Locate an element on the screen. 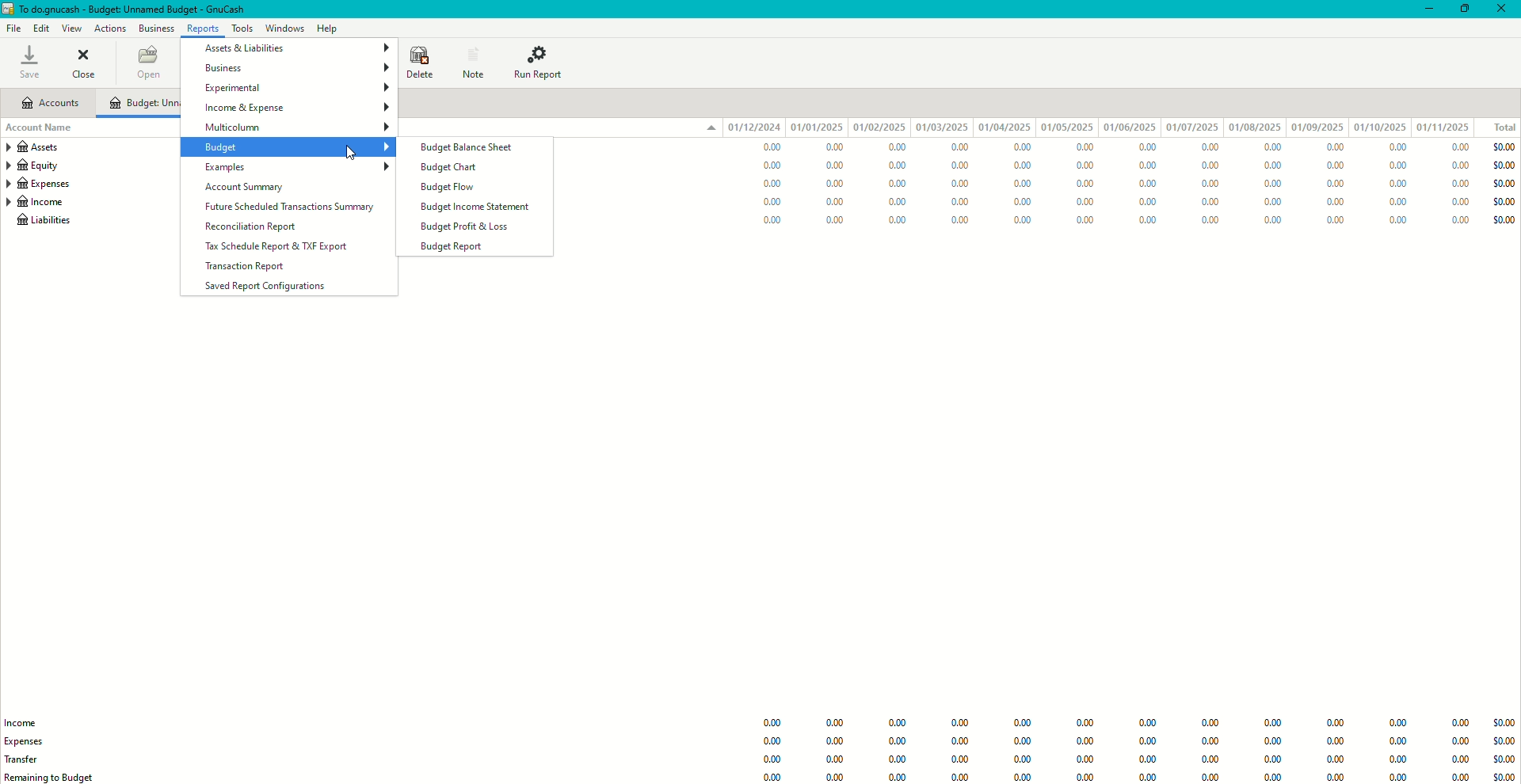  $0.00 is located at coordinates (1501, 183).